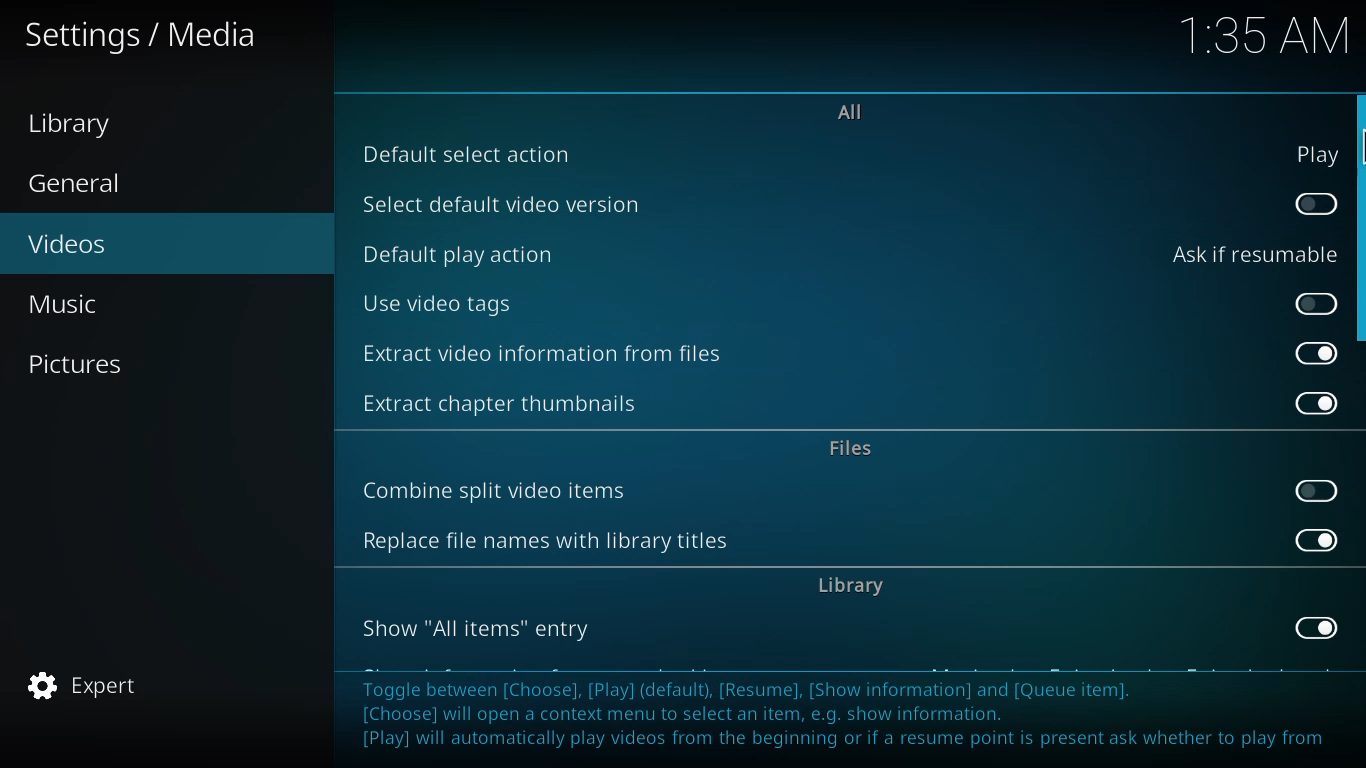 The height and width of the screenshot is (768, 1366). Describe the element at coordinates (437, 303) in the screenshot. I see `use video tags` at that location.